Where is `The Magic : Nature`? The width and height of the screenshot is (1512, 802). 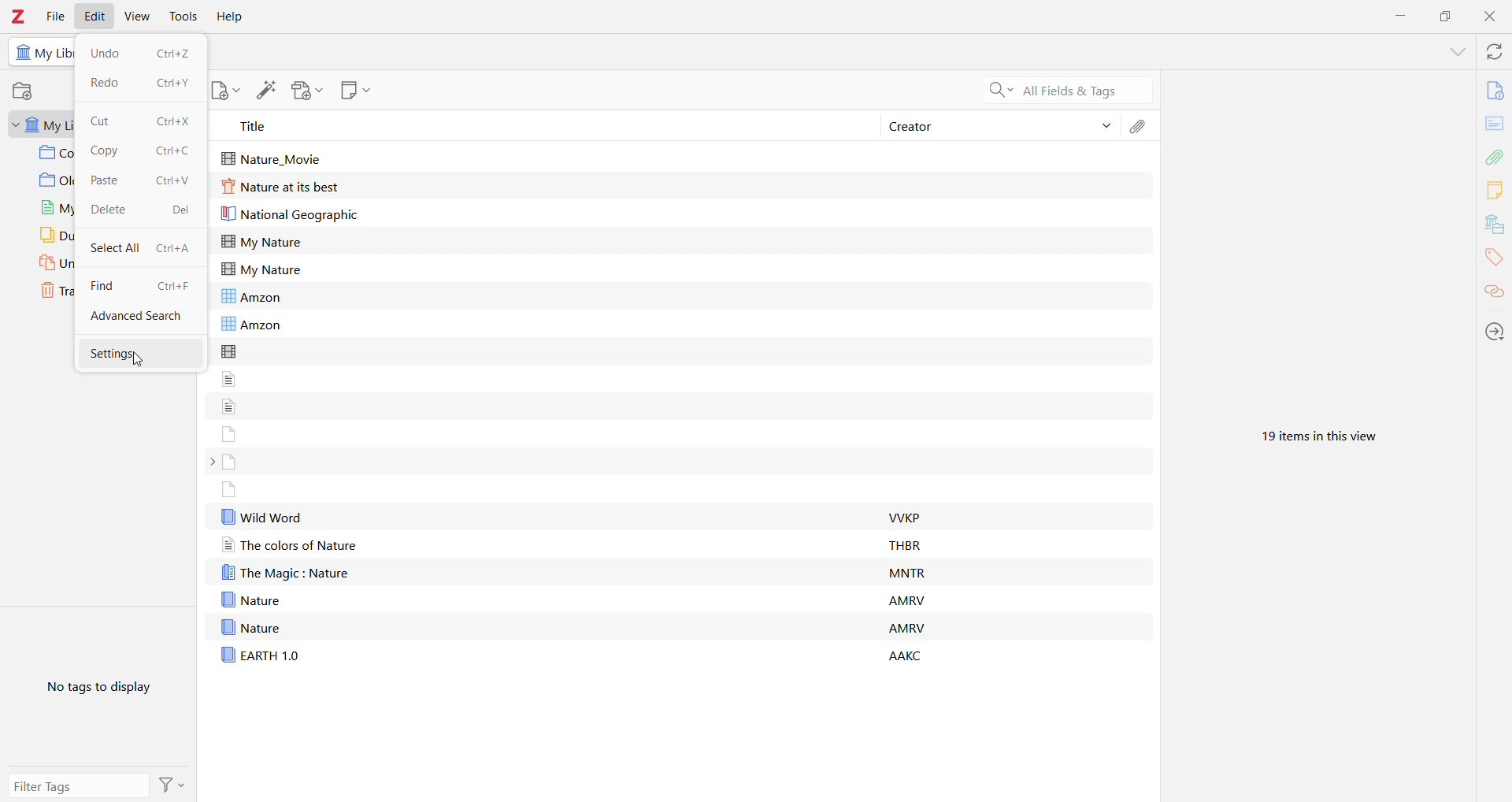
The Magic : Nature is located at coordinates (293, 572).